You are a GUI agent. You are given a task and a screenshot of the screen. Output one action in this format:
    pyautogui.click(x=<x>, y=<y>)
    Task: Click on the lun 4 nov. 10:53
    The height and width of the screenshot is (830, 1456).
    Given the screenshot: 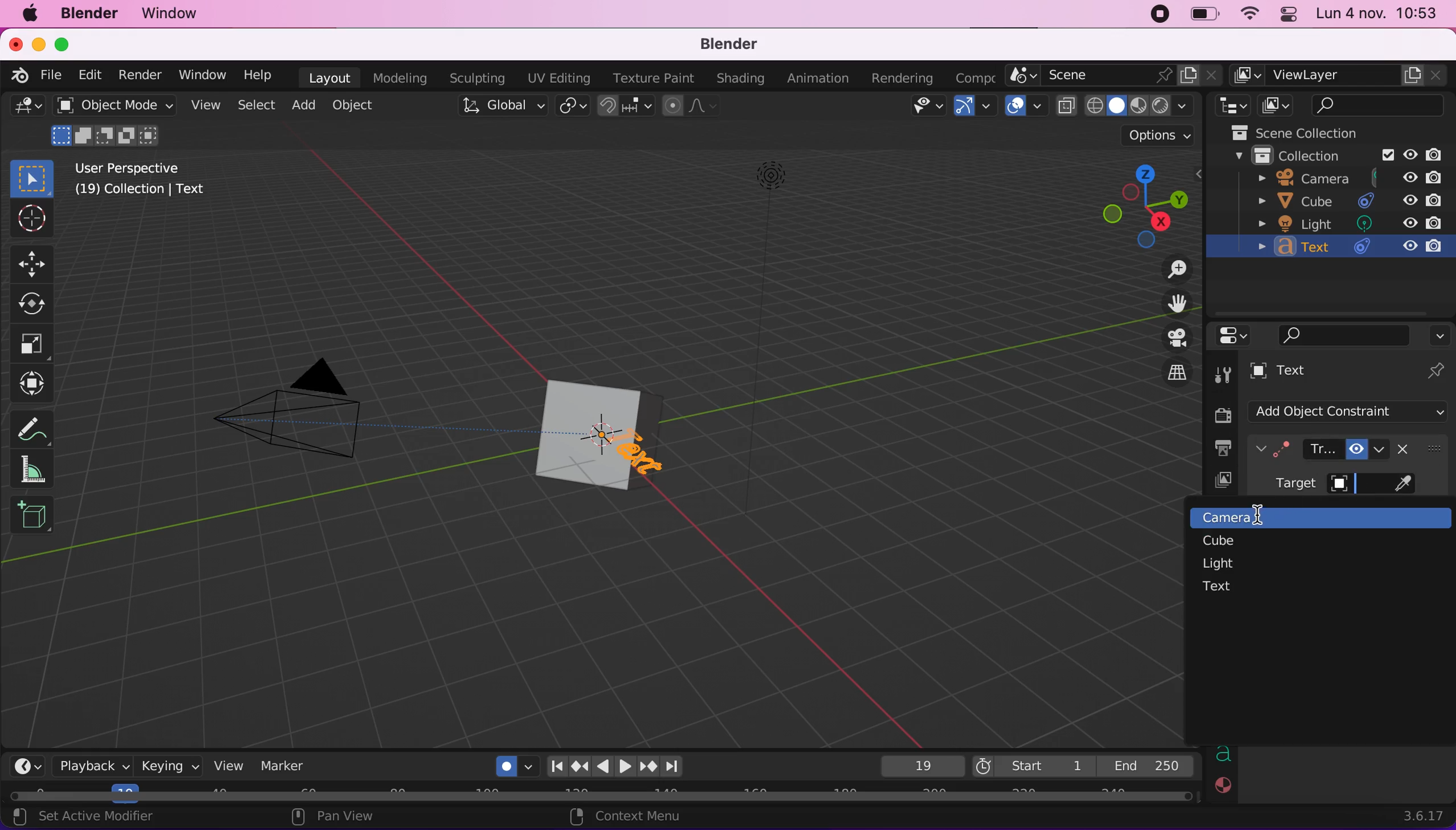 What is the action you would take?
    pyautogui.click(x=1378, y=15)
    